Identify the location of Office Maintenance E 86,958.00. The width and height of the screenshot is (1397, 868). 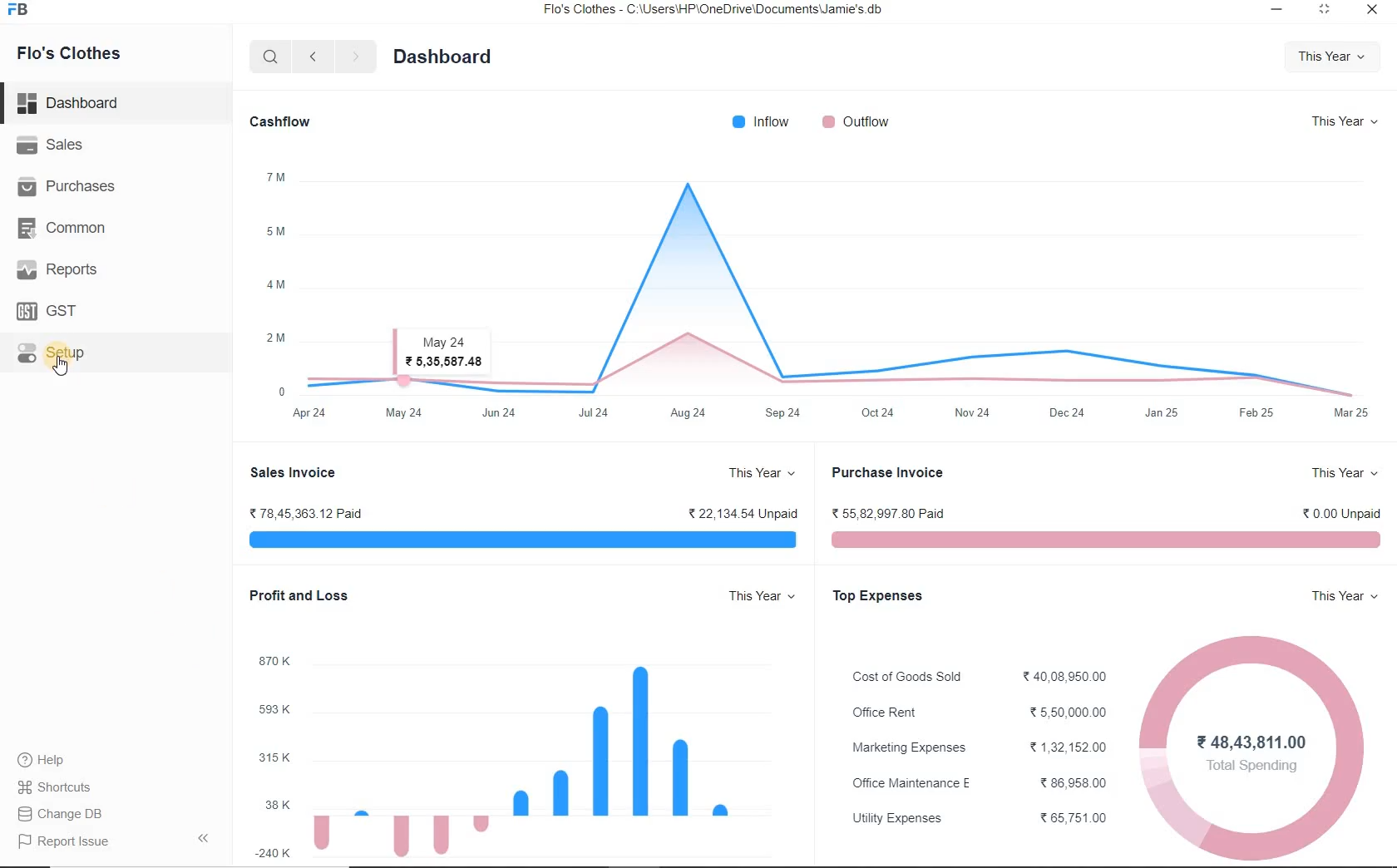
(976, 782).